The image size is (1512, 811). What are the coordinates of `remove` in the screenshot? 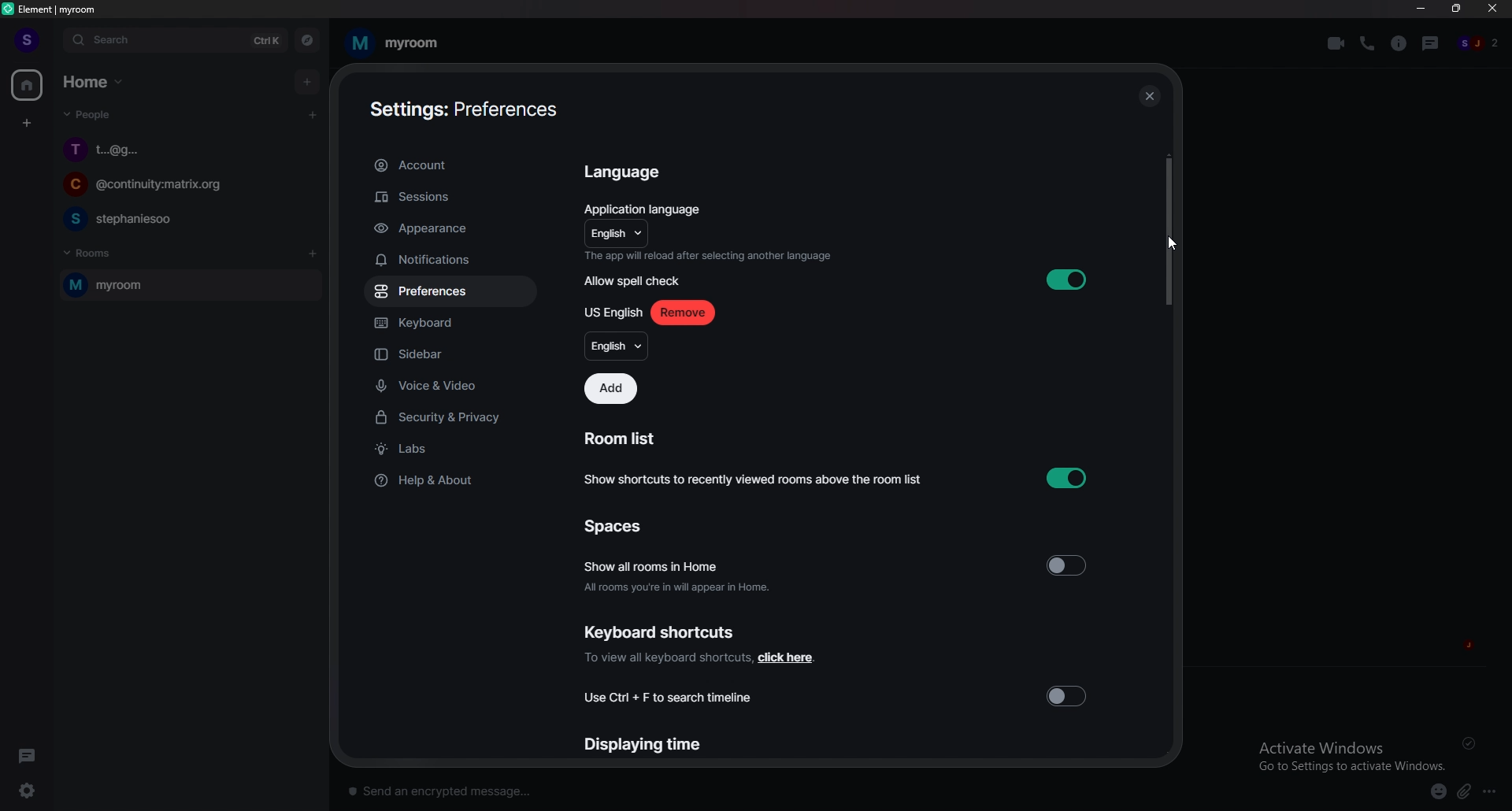 It's located at (683, 312).